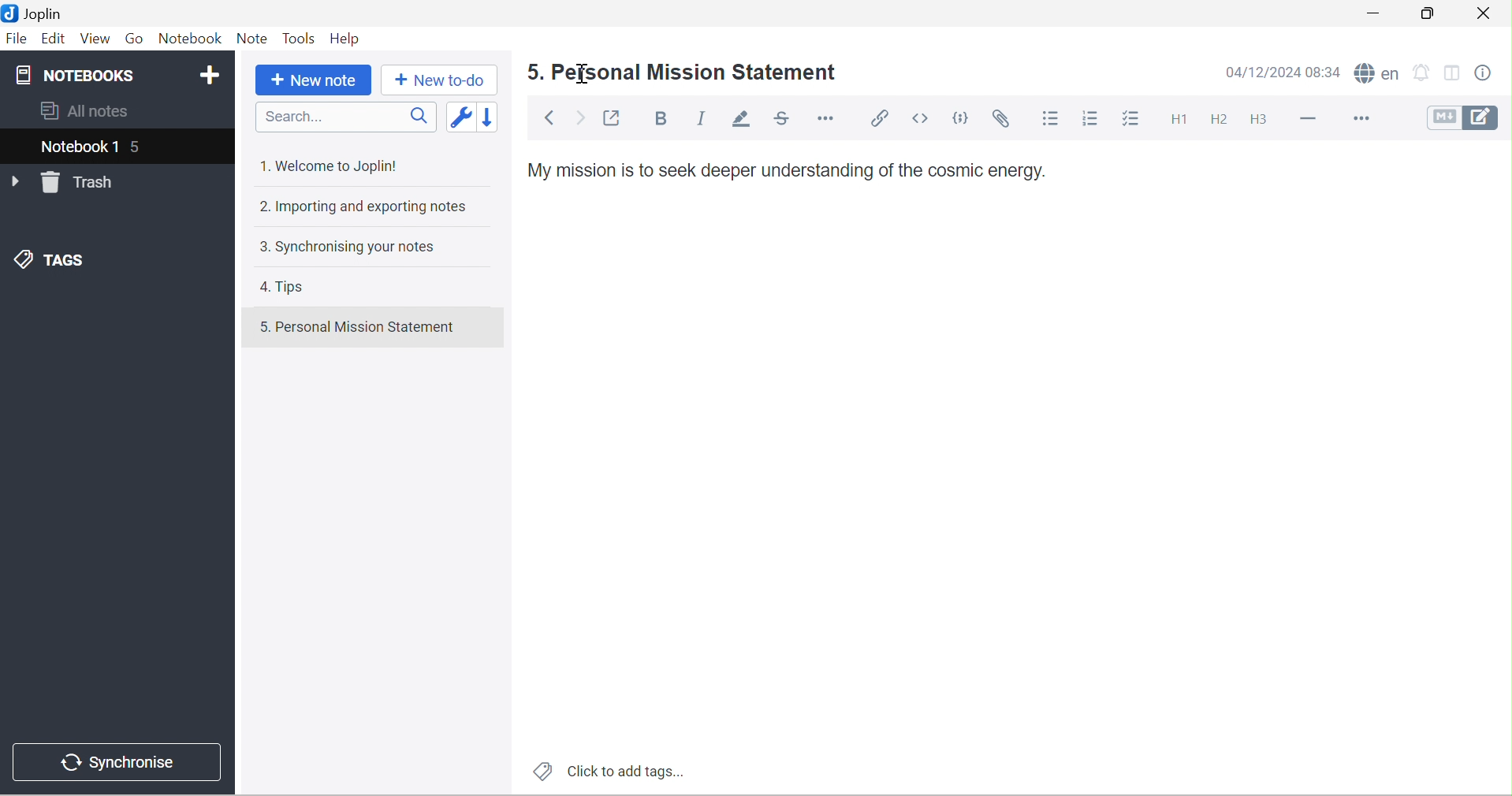 The image size is (1512, 796). Describe the element at coordinates (1371, 15) in the screenshot. I see `Minimize` at that location.